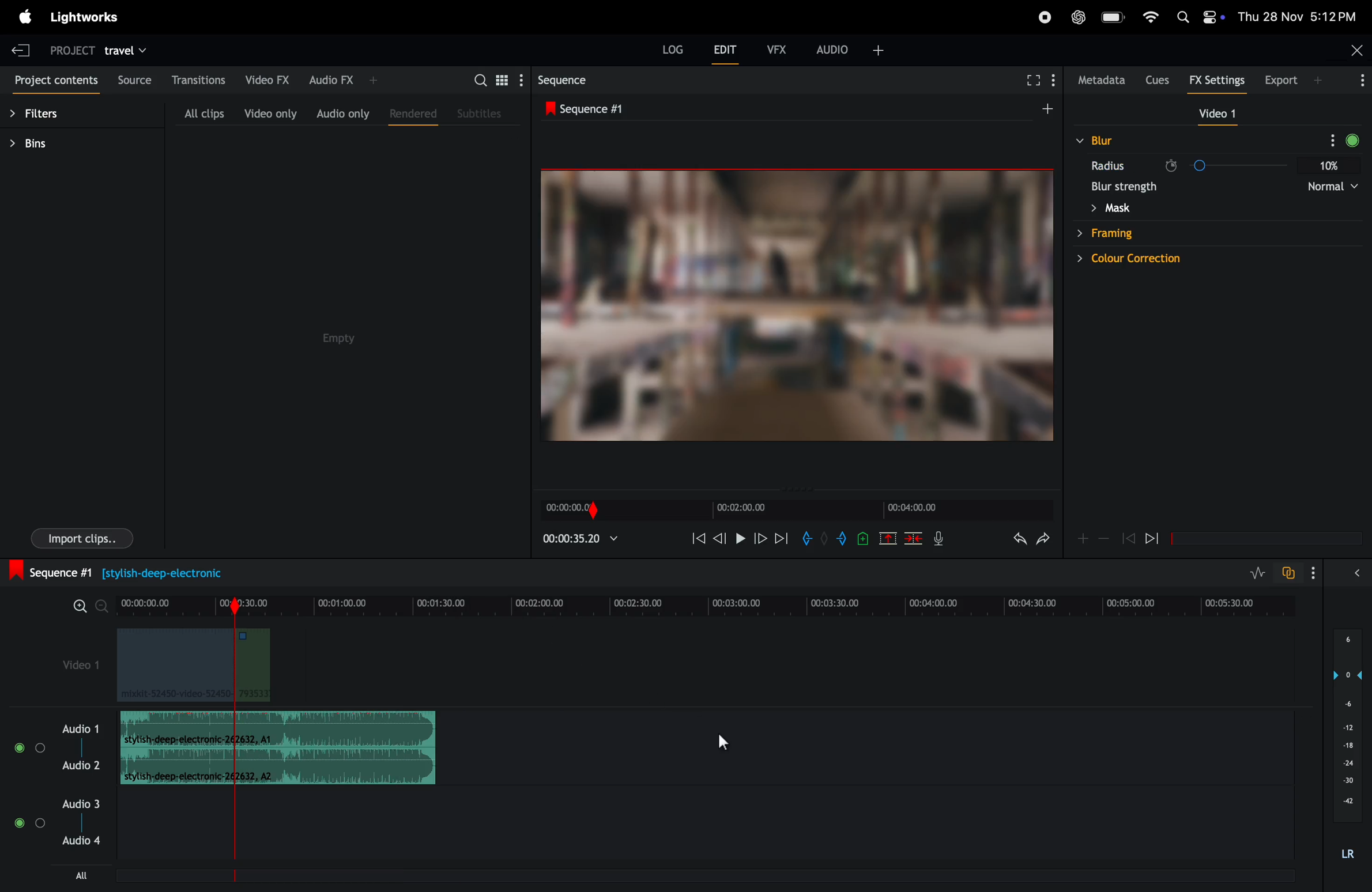 This screenshot has width=1372, height=892. What do you see at coordinates (1011, 543) in the screenshot?
I see `undo` at bounding box center [1011, 543].